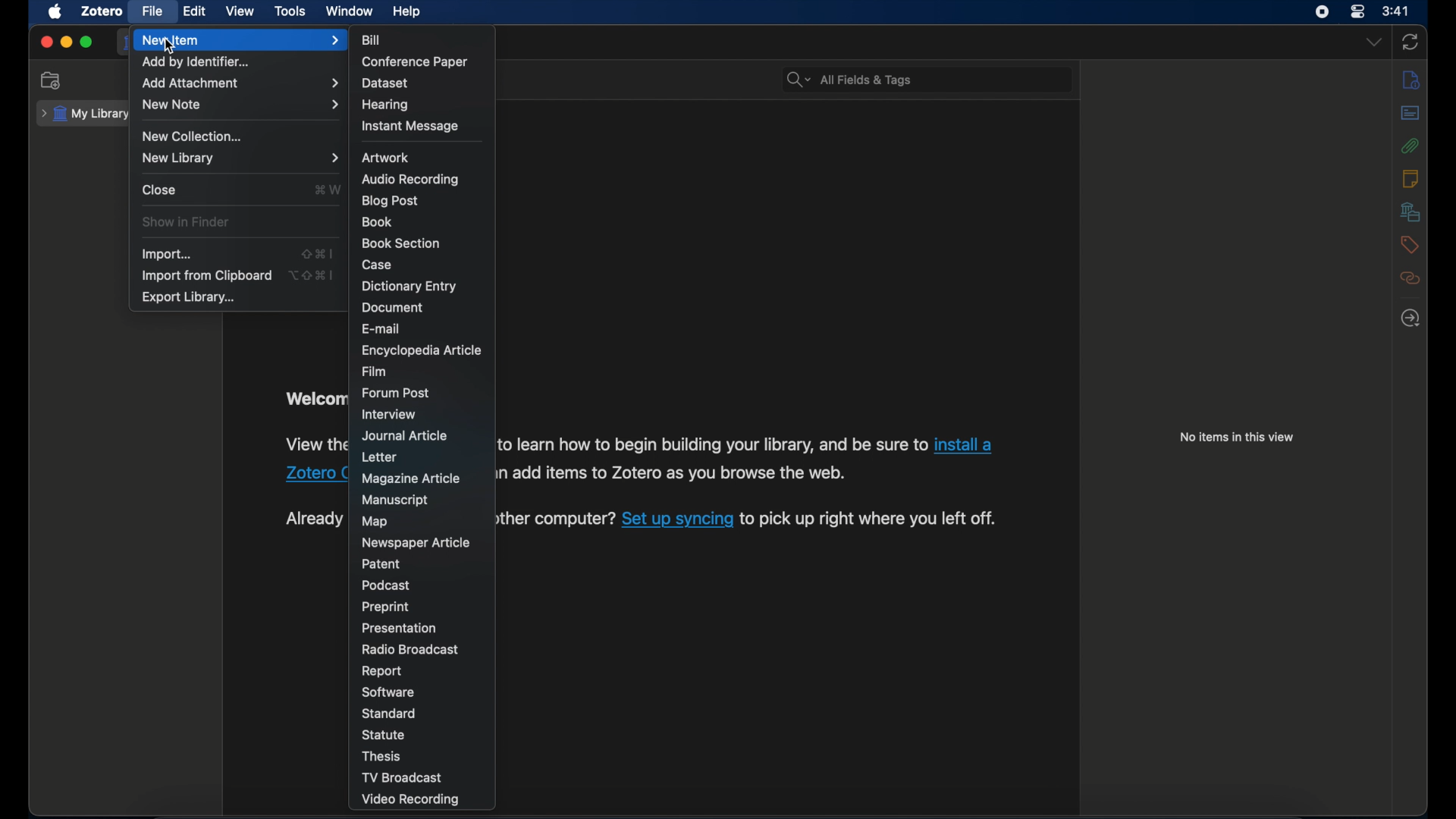 This screenshot has width=1456, height=819. I want to click on info, so click(1411, 79).